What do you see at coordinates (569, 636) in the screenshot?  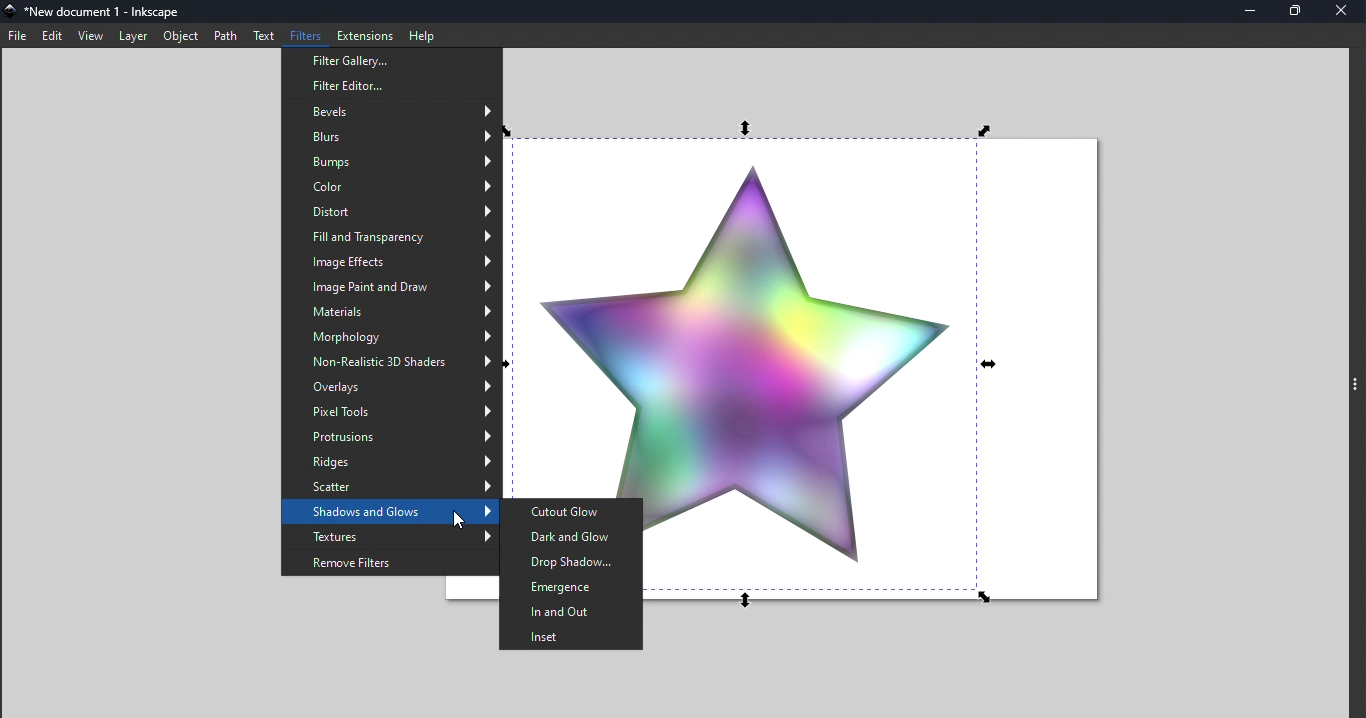 I see `Inset` at bounding box center [569, 636].